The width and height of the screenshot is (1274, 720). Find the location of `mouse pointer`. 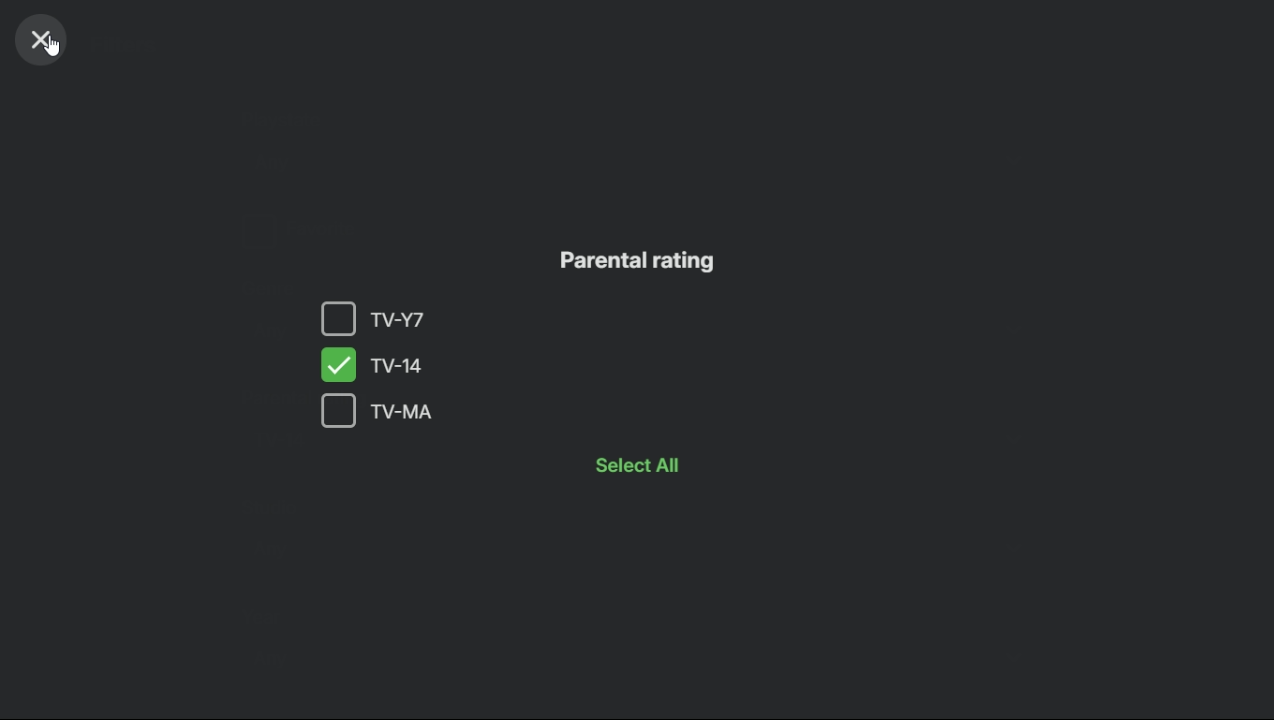

mouse pointer is located at coordinates (54, 49).